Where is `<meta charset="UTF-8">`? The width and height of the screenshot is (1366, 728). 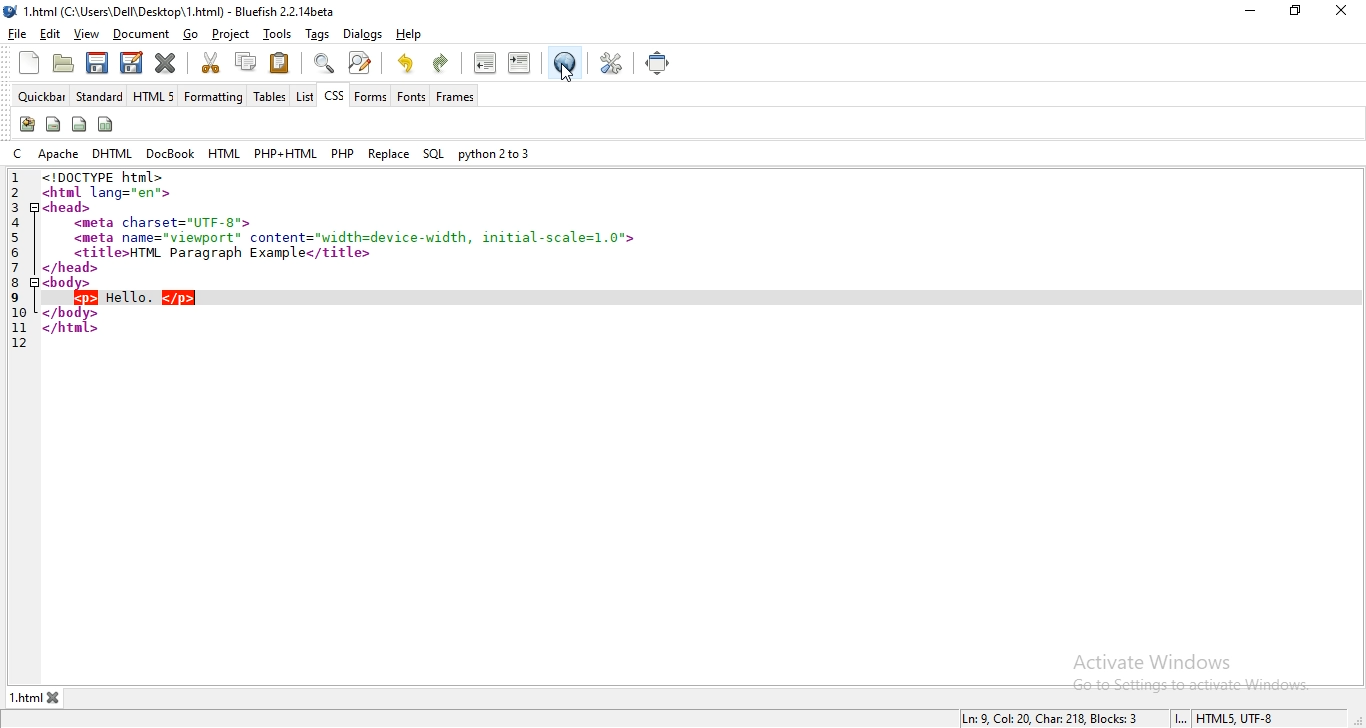
<meta charset="UTF-8"> is located at coordinates (164, 223).